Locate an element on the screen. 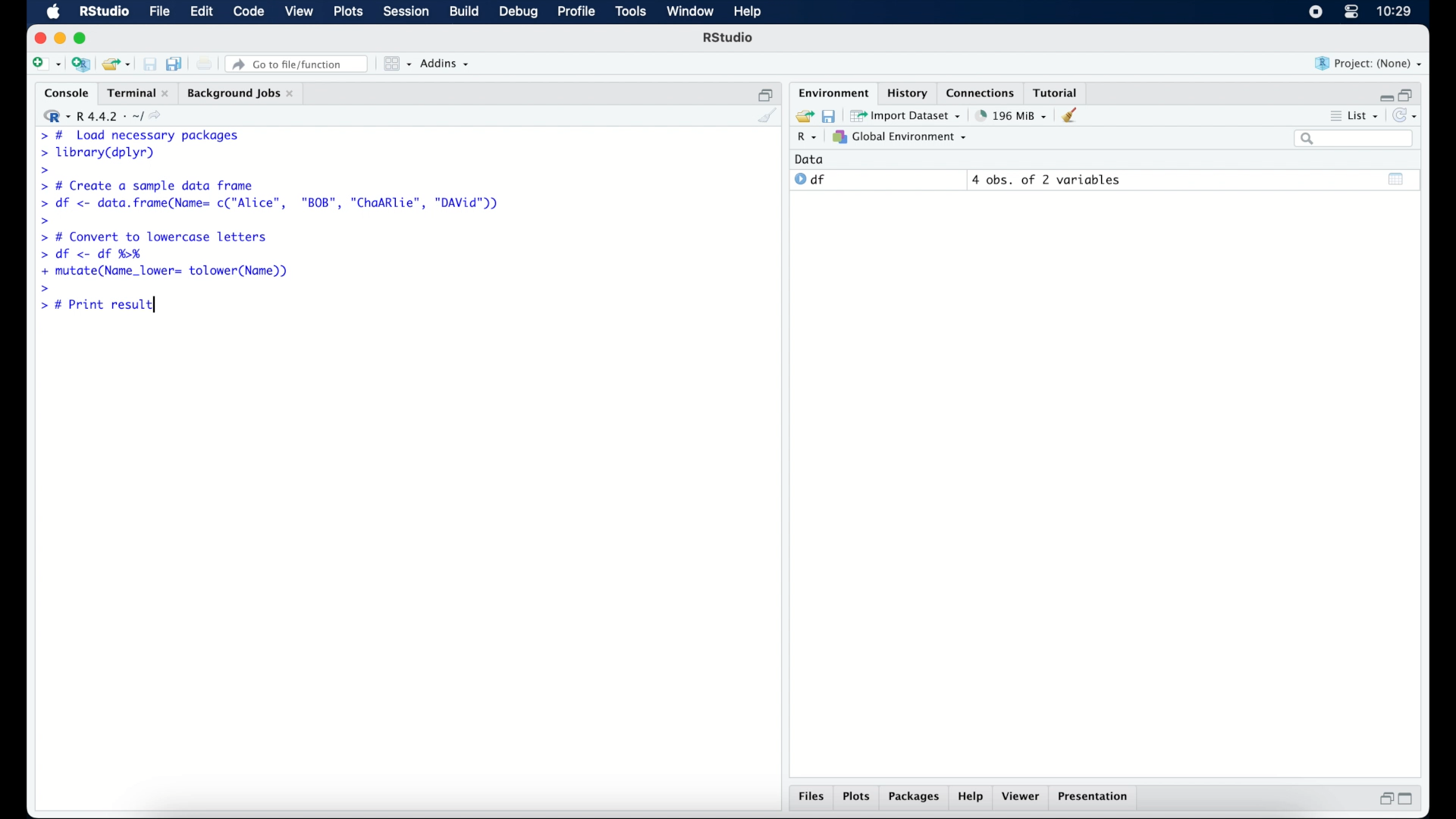  save is located at coordinates (149, 64).